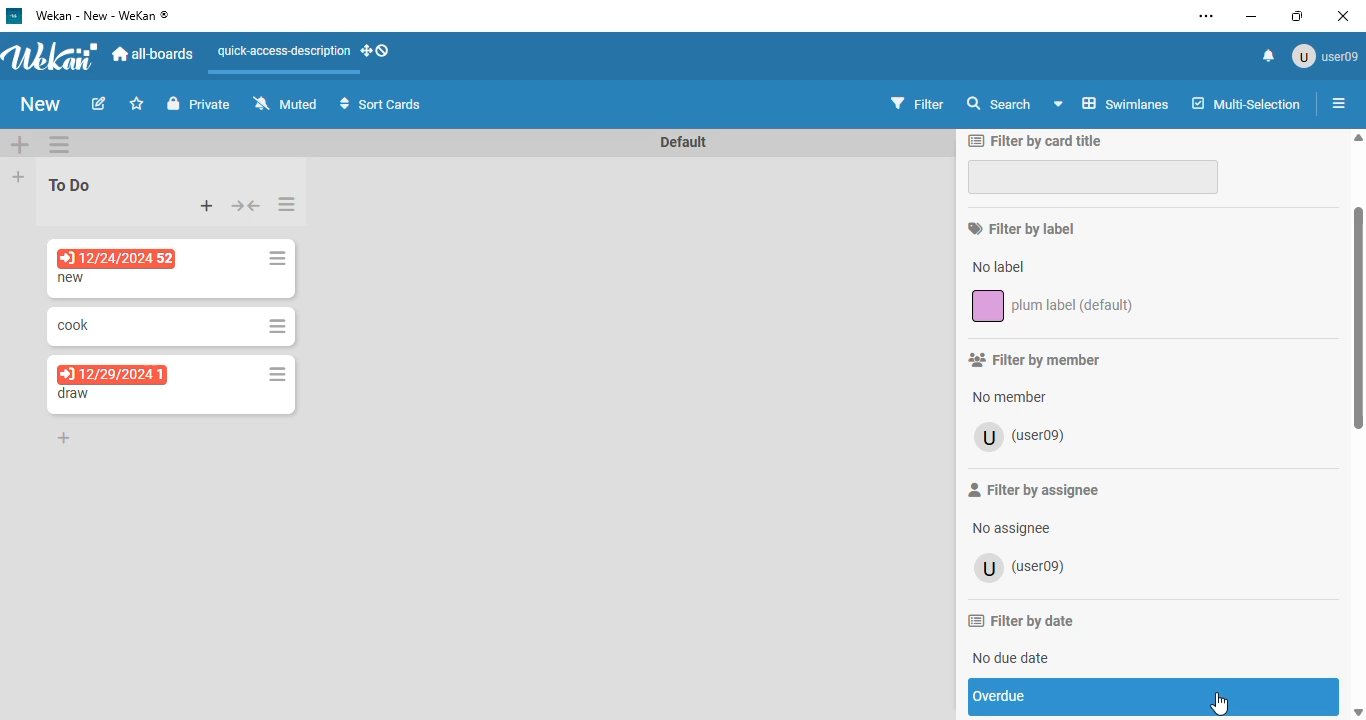 This screenshot has height=720, width=1366. I want to click on no due date, so click(1013, 657).